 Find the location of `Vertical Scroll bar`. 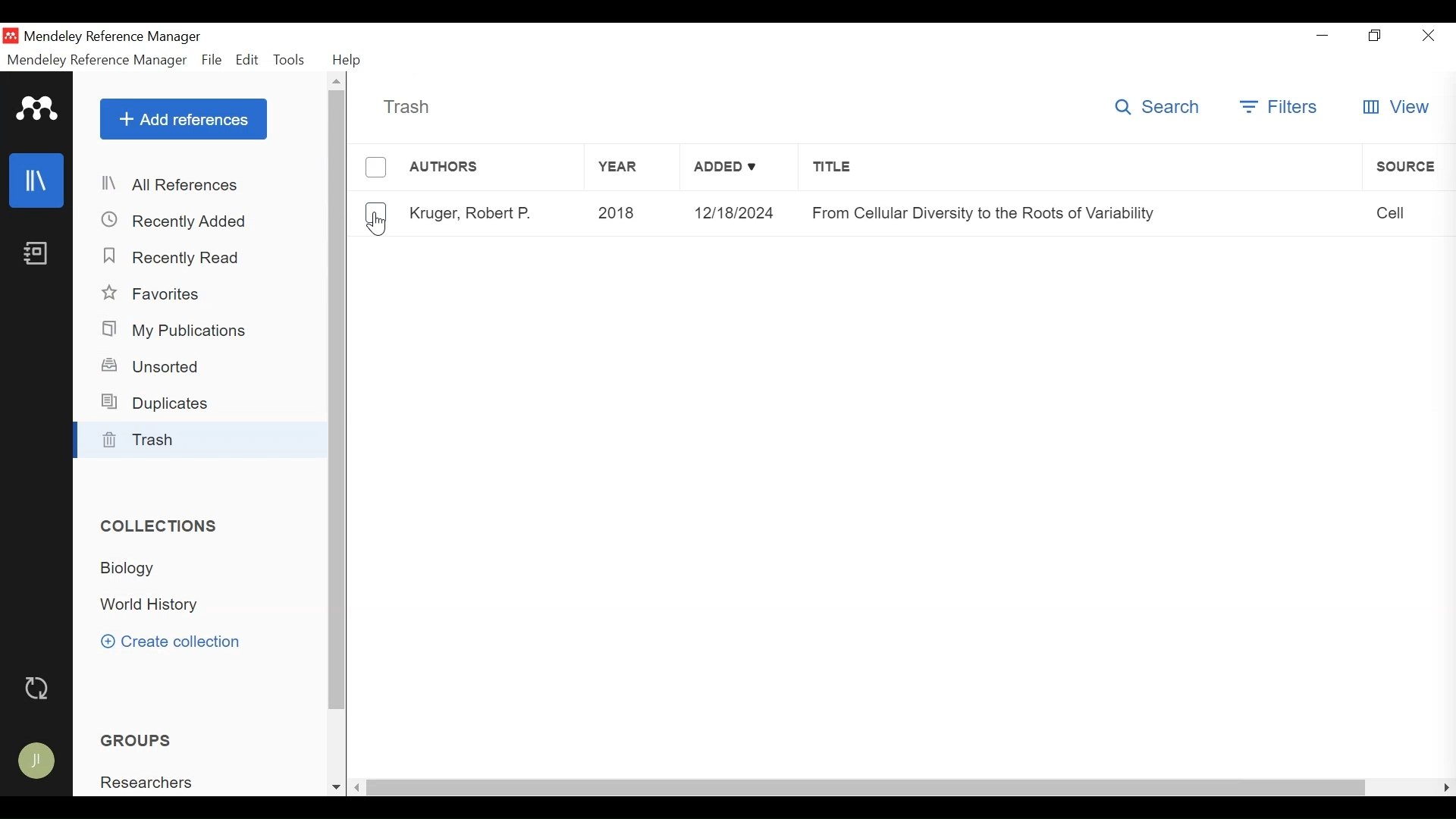

Vertical Scroll bar is located at coordinates (865, 787).